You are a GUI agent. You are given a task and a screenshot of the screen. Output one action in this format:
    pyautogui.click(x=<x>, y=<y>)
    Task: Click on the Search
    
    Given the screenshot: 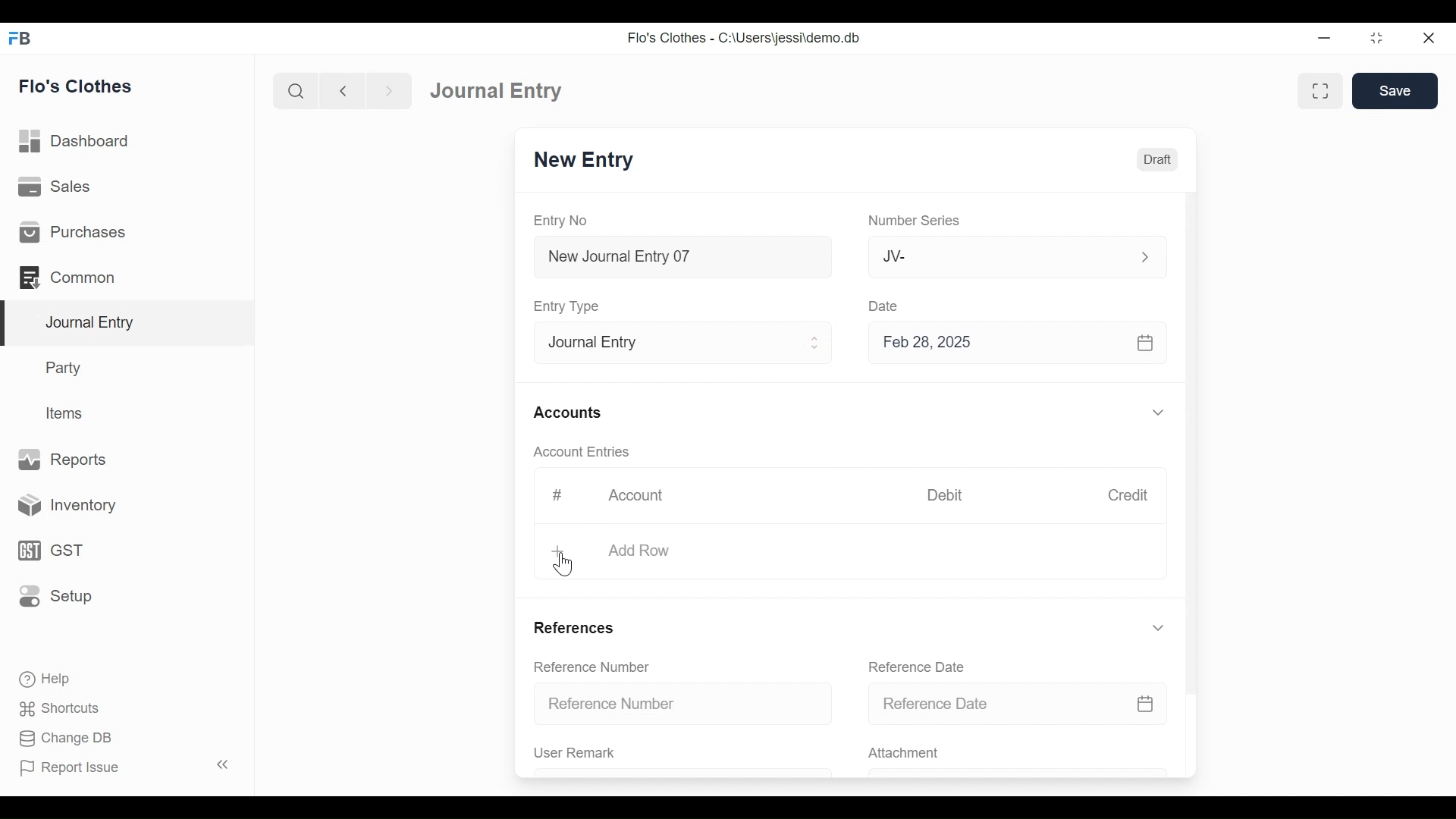 What is the action you would take?
    pyautogui.click(x=296, y=92)
    